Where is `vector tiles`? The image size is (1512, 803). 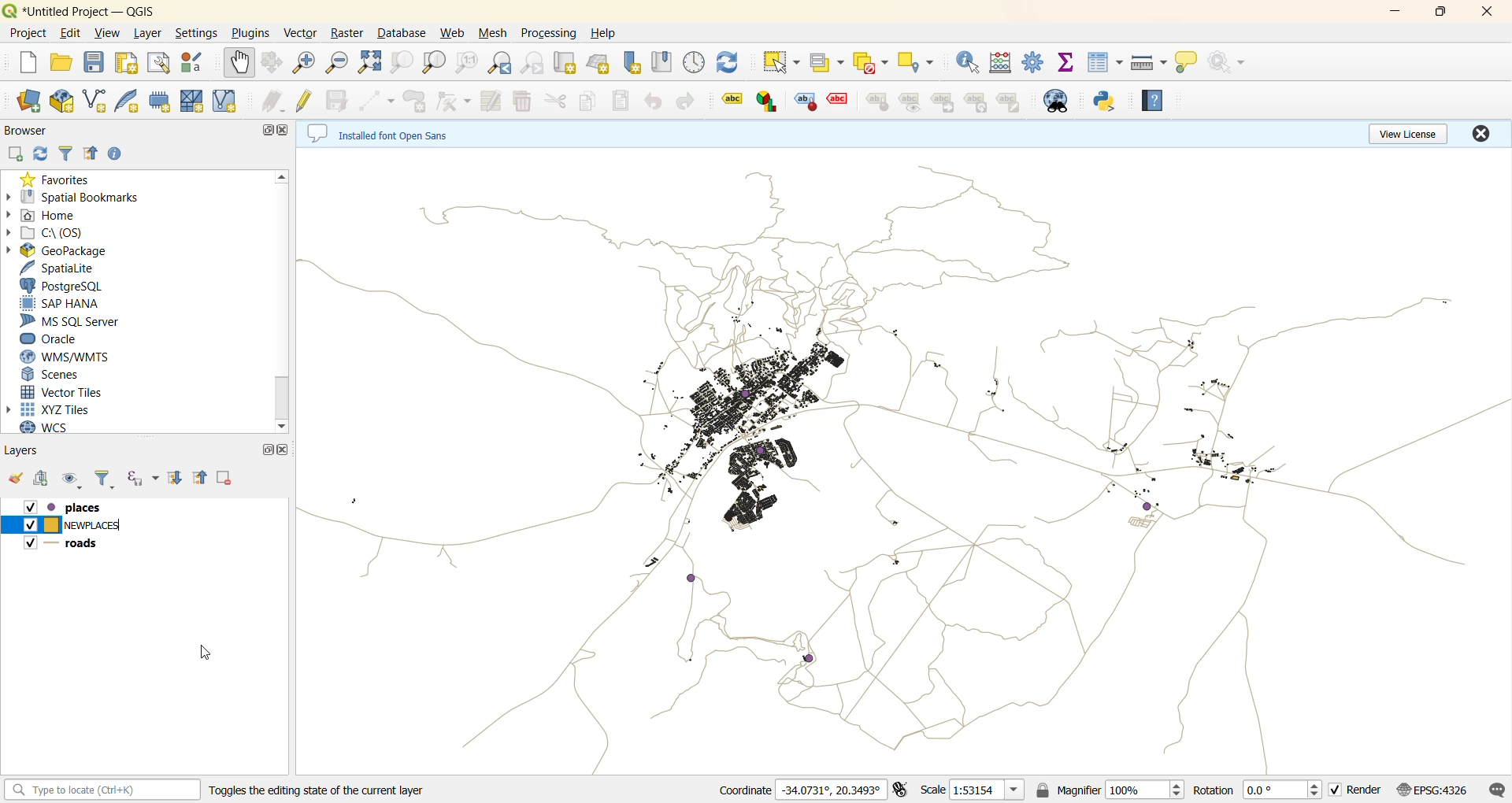
vector tiles is located at coordinates (61, 391).